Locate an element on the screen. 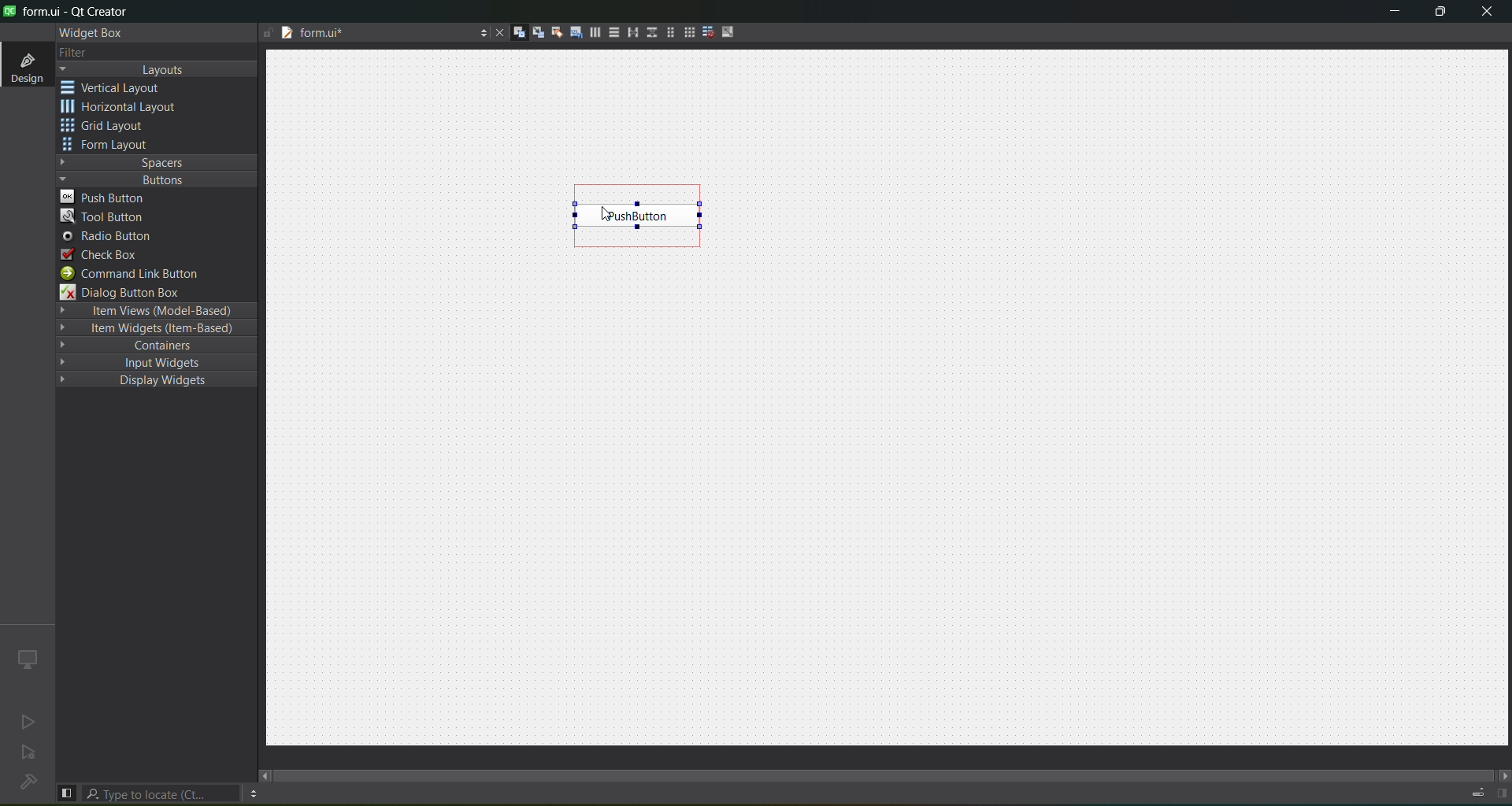  move left is located at coordinates (265, 775).